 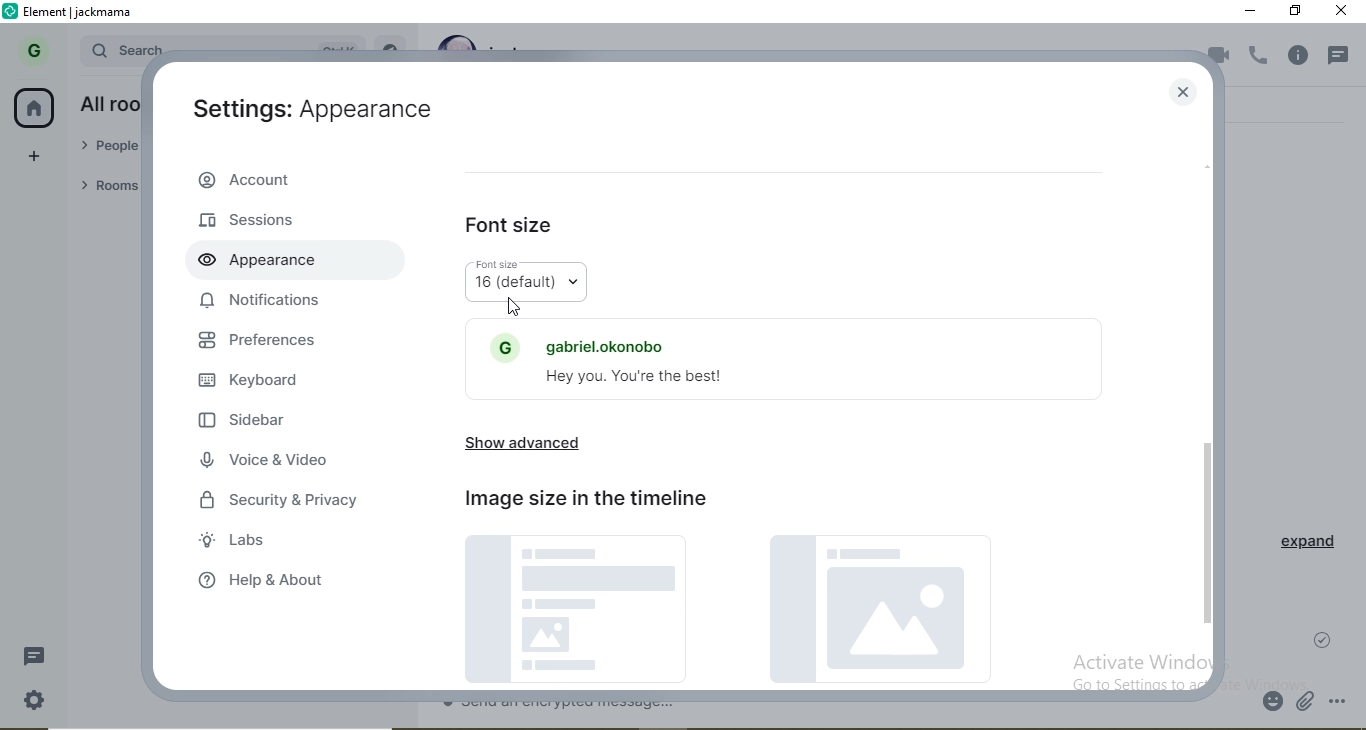 I want to click on emoji, so click(x=1274, y=703).